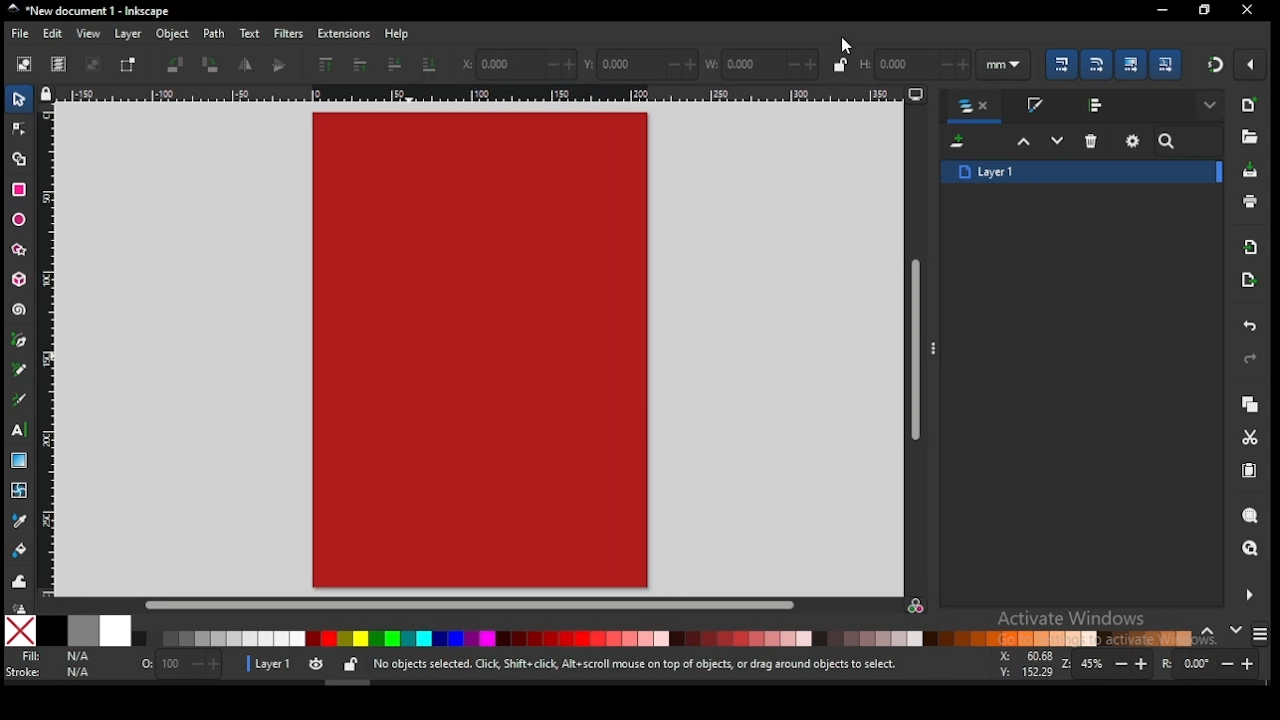 Image resolution: width=1280 pixels, height=720 pixels. Describe the element at coordinates (1203, 10) in the screenshot. I see `close window` at that location.